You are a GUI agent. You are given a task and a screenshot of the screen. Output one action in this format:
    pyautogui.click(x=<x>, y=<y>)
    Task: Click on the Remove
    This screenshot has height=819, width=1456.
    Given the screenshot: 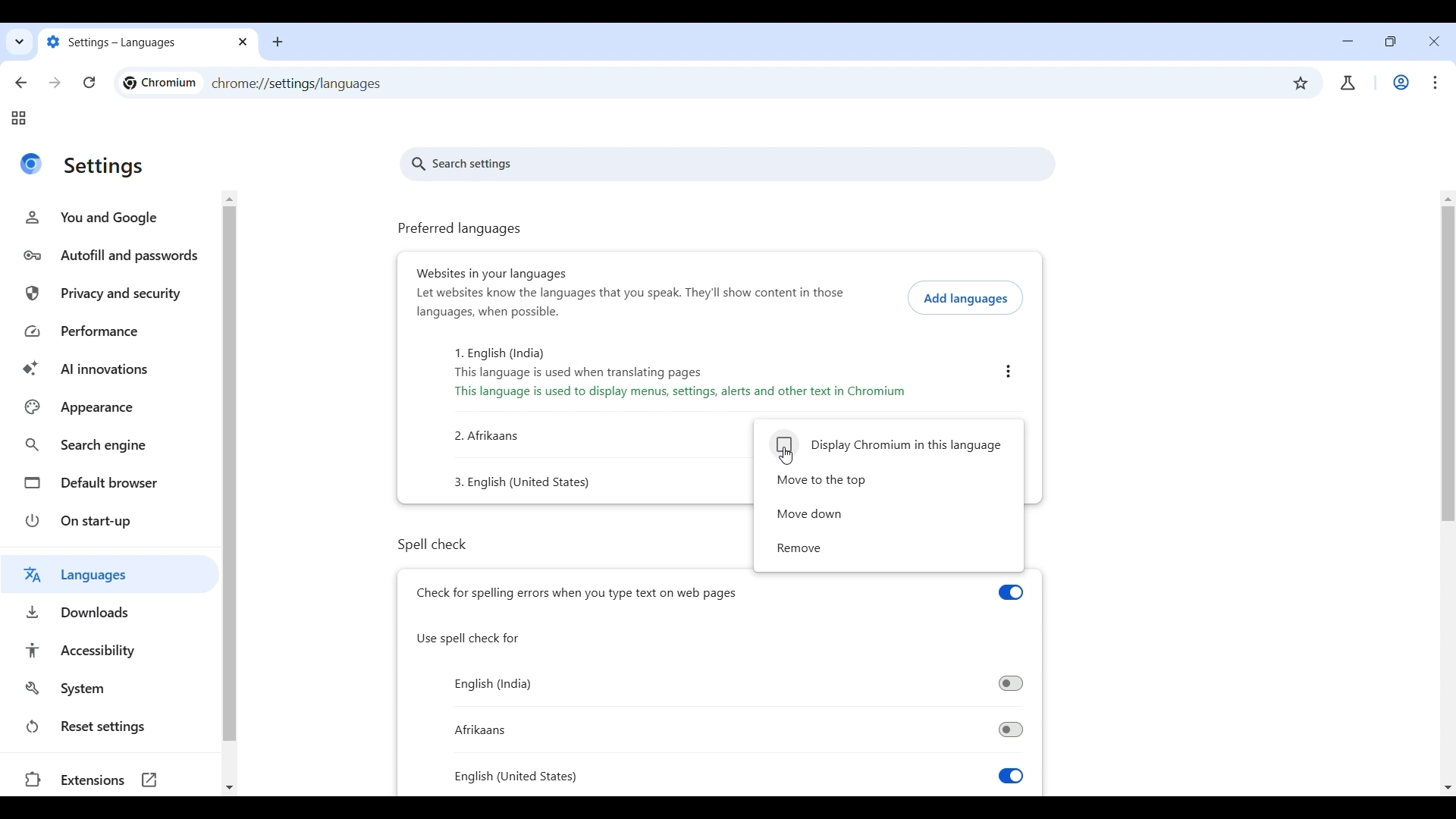 What is the action you would take?
    pyautogui.click(x=891, y=549)
    